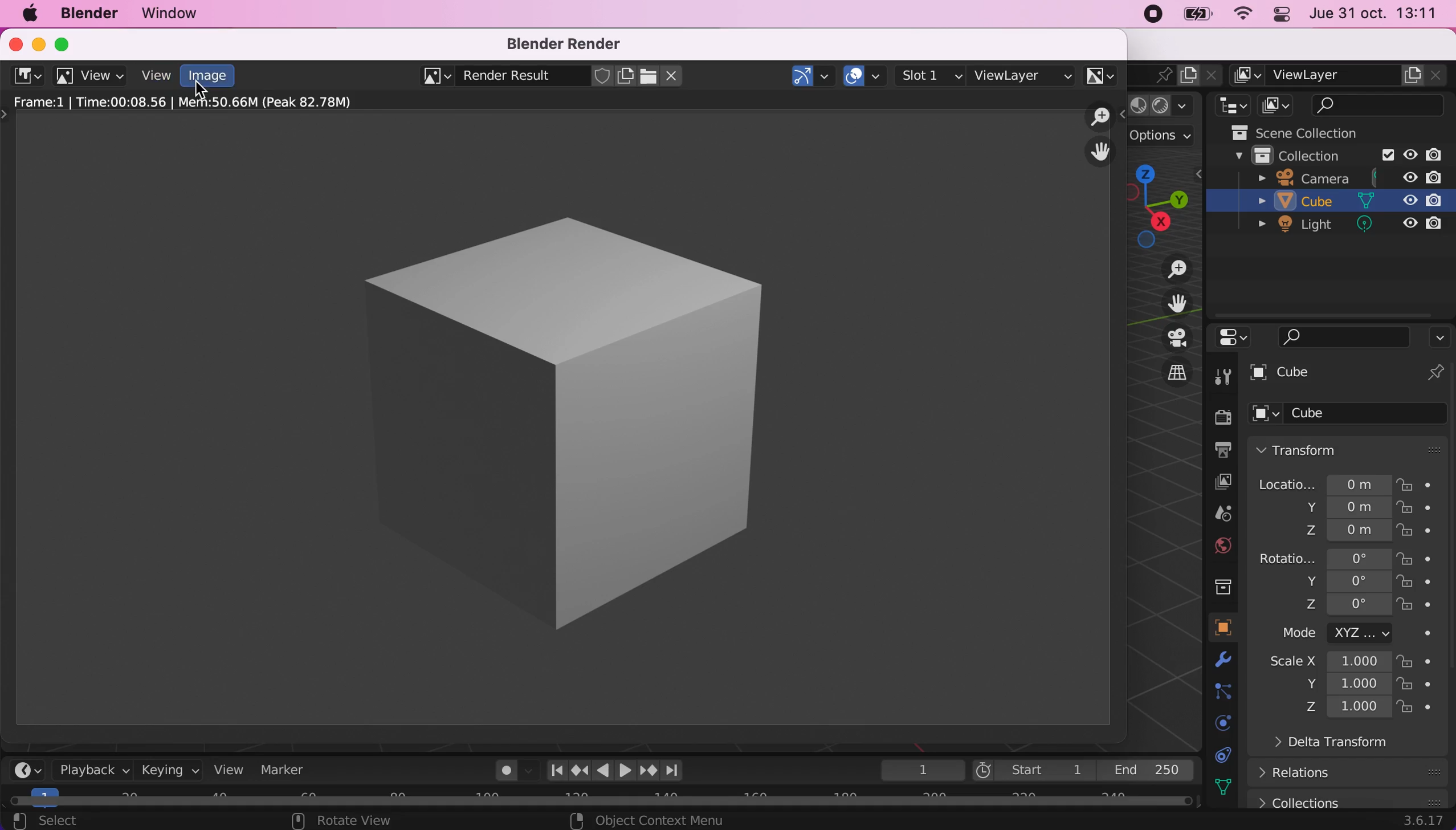  I want to click on start 1, so click(1033, 770).